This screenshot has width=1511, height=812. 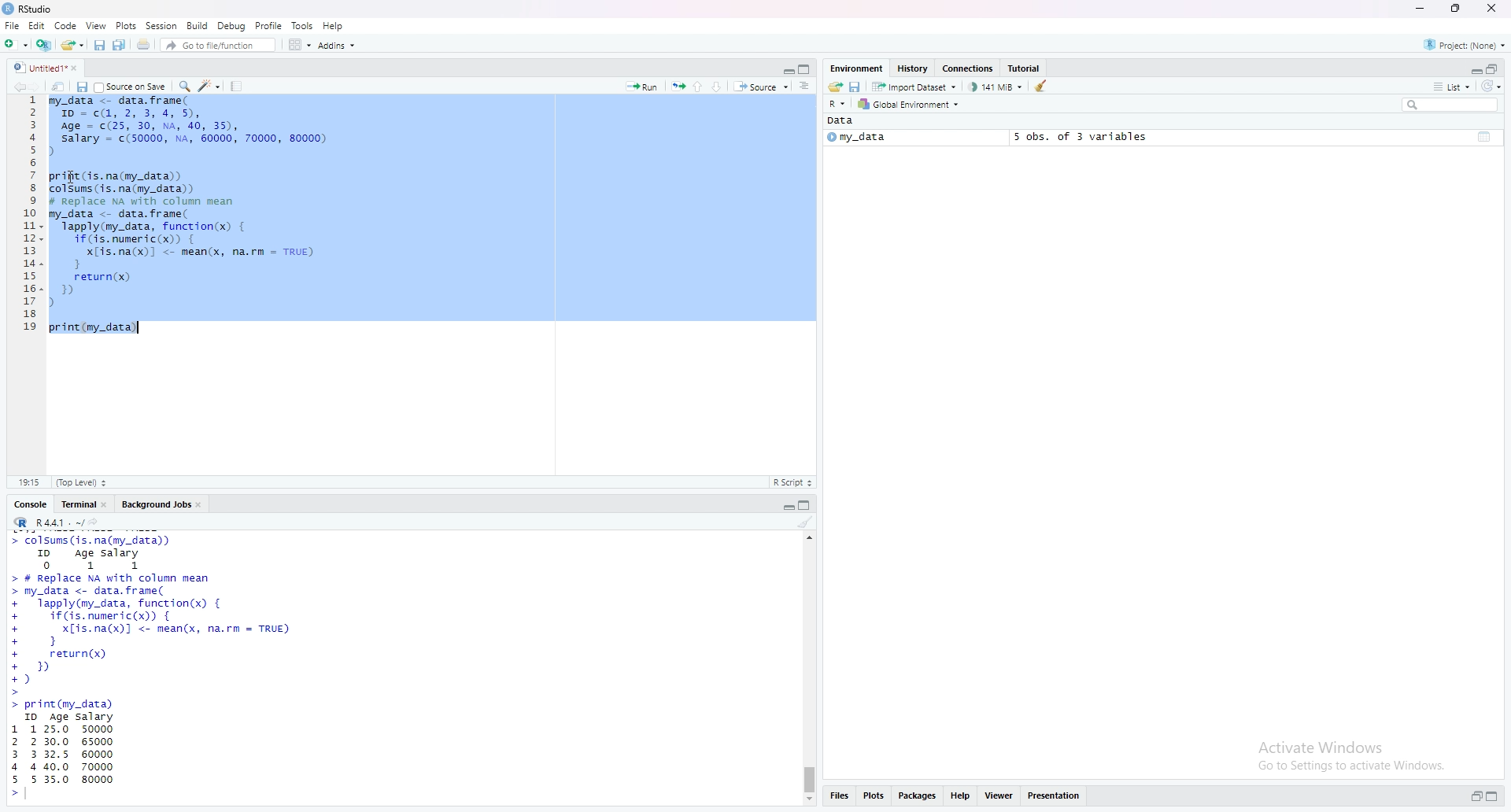 I want to click on collapse, so click(x=808, y=506).